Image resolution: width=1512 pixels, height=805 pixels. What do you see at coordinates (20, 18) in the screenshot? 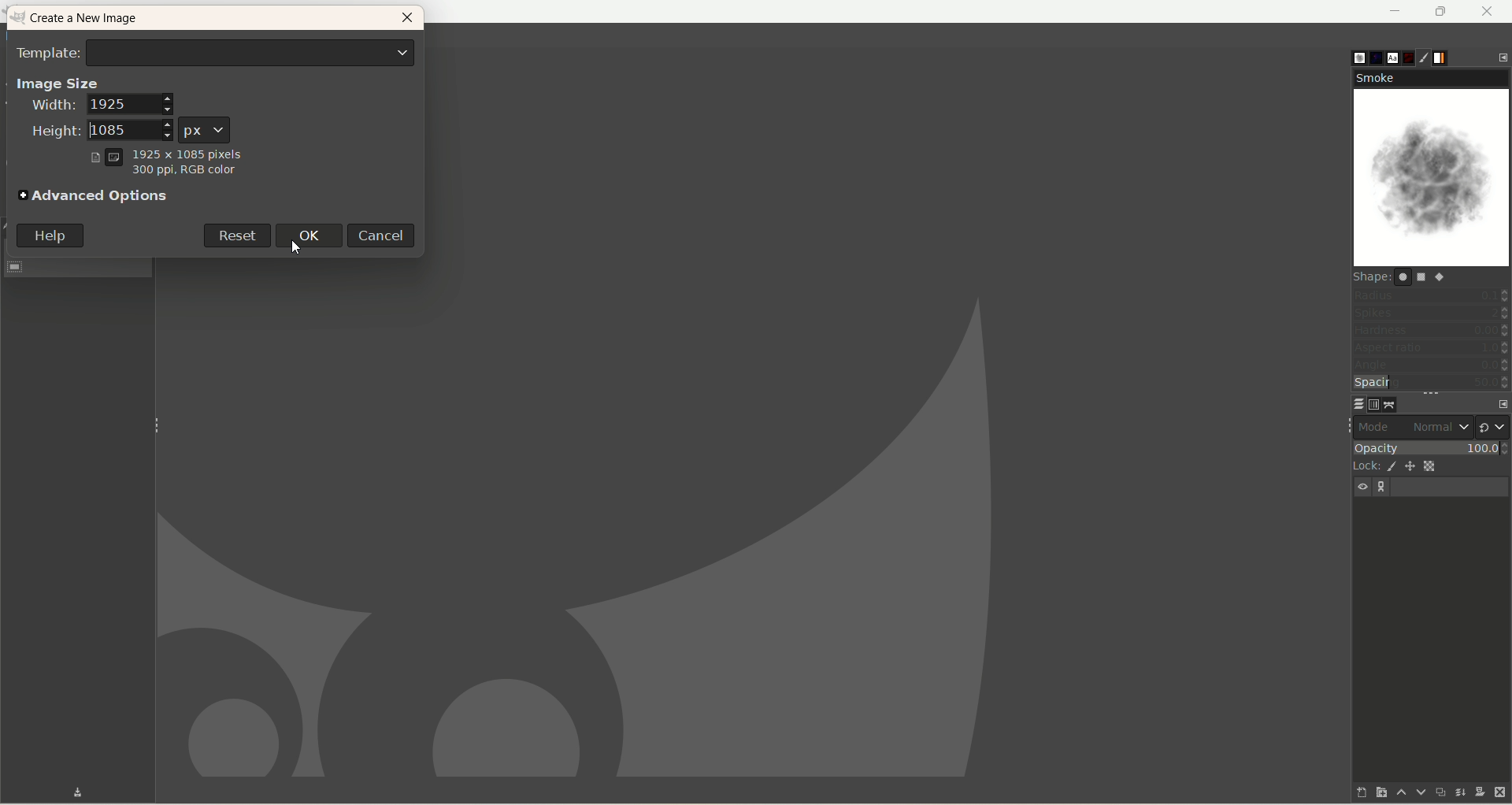
I see `logo` at bounding box center [20, 18].